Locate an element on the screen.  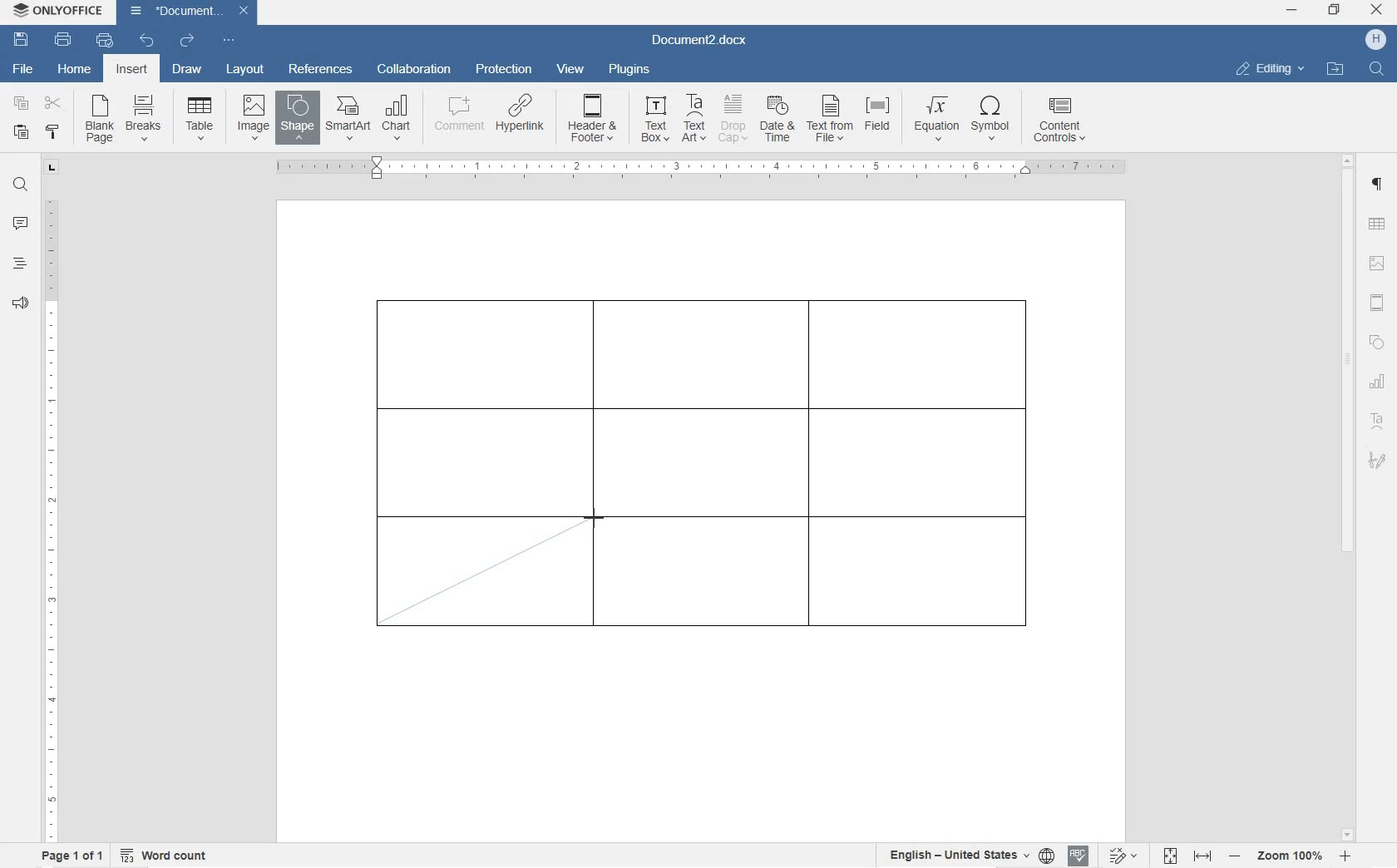
minimize is located at coordinates (1291, 10).